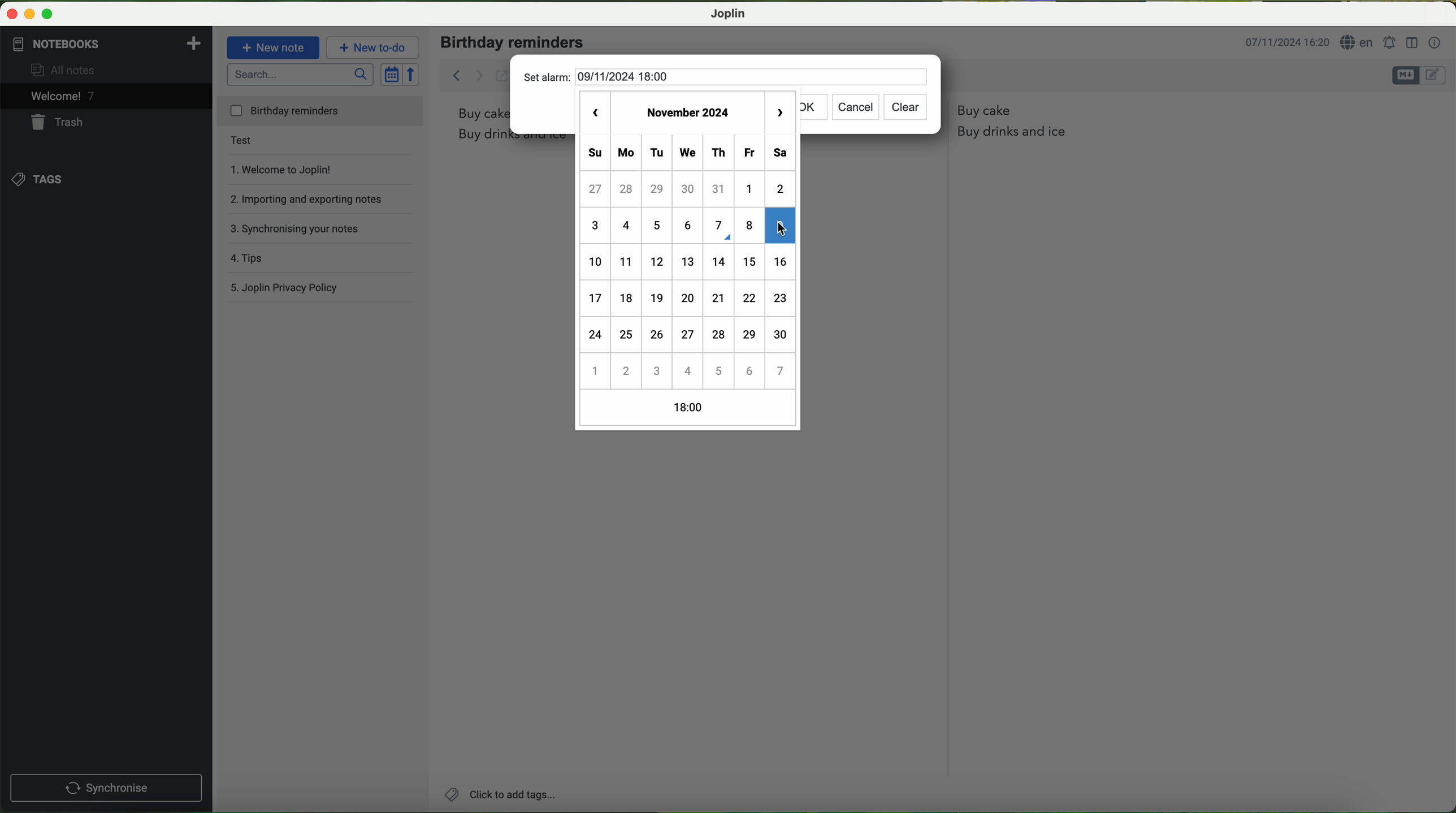 The height and width of the screenshot is (813, 1456). I want to click on november 2024, so click(679, 110).